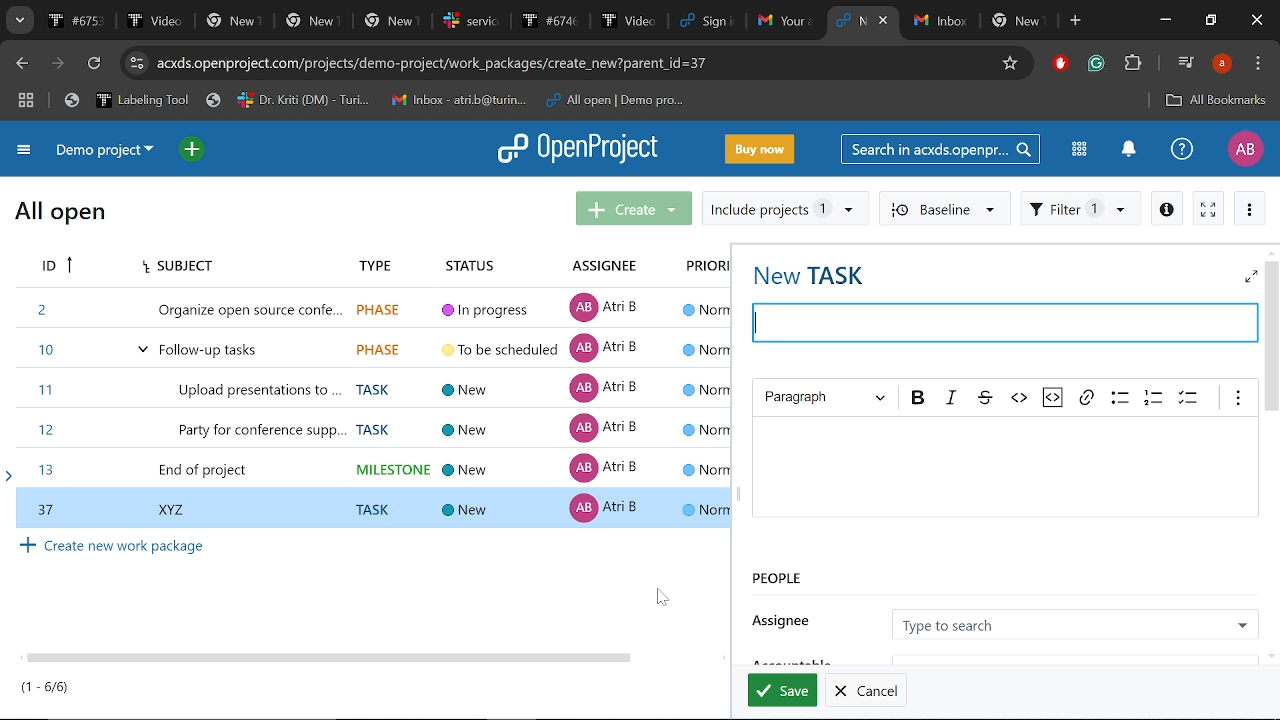 The image size is (1280, 720). I want to click on Space for writing task details, so click(1005, 469).